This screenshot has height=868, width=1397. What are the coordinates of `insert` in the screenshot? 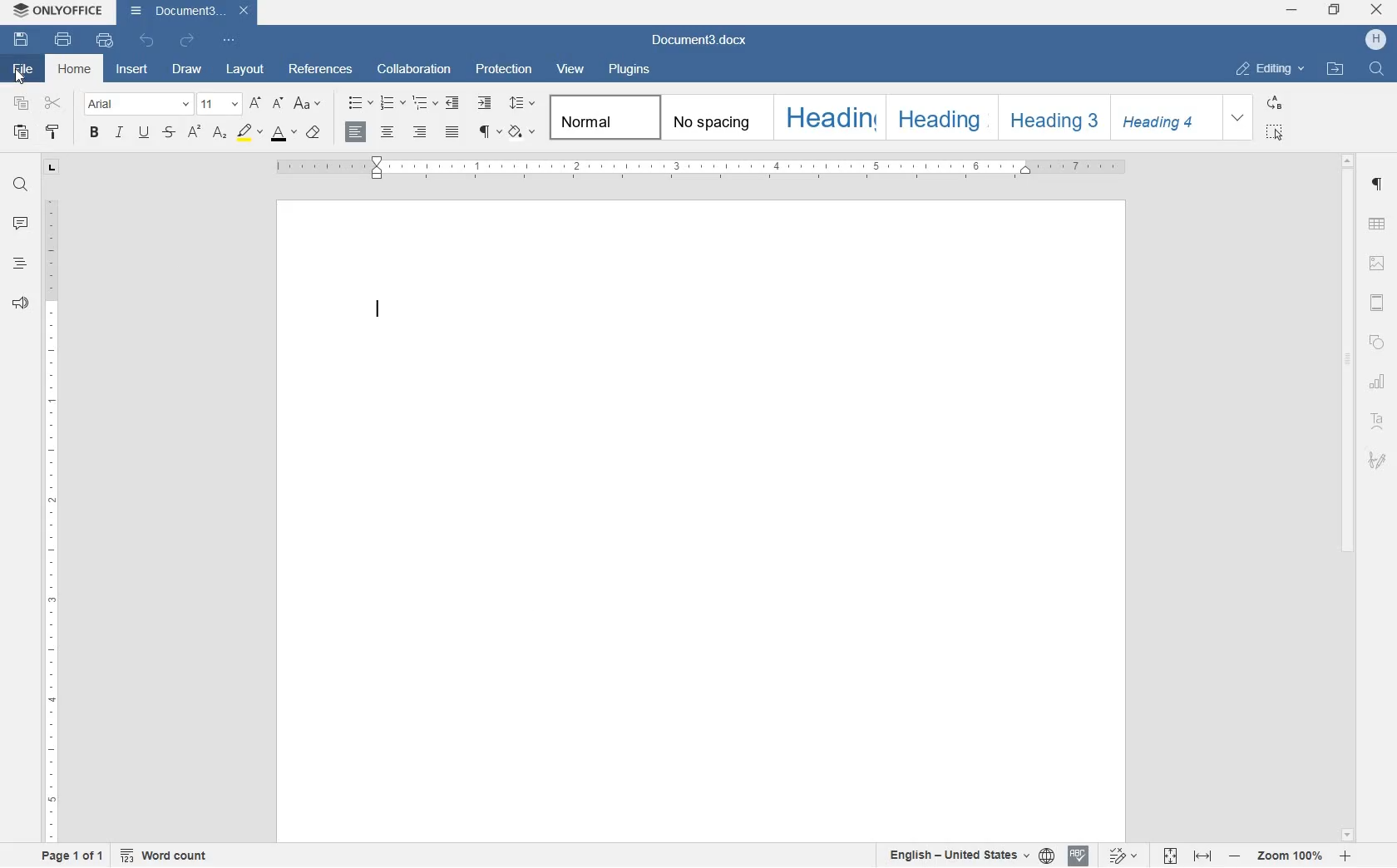 It's located at (131, 68).